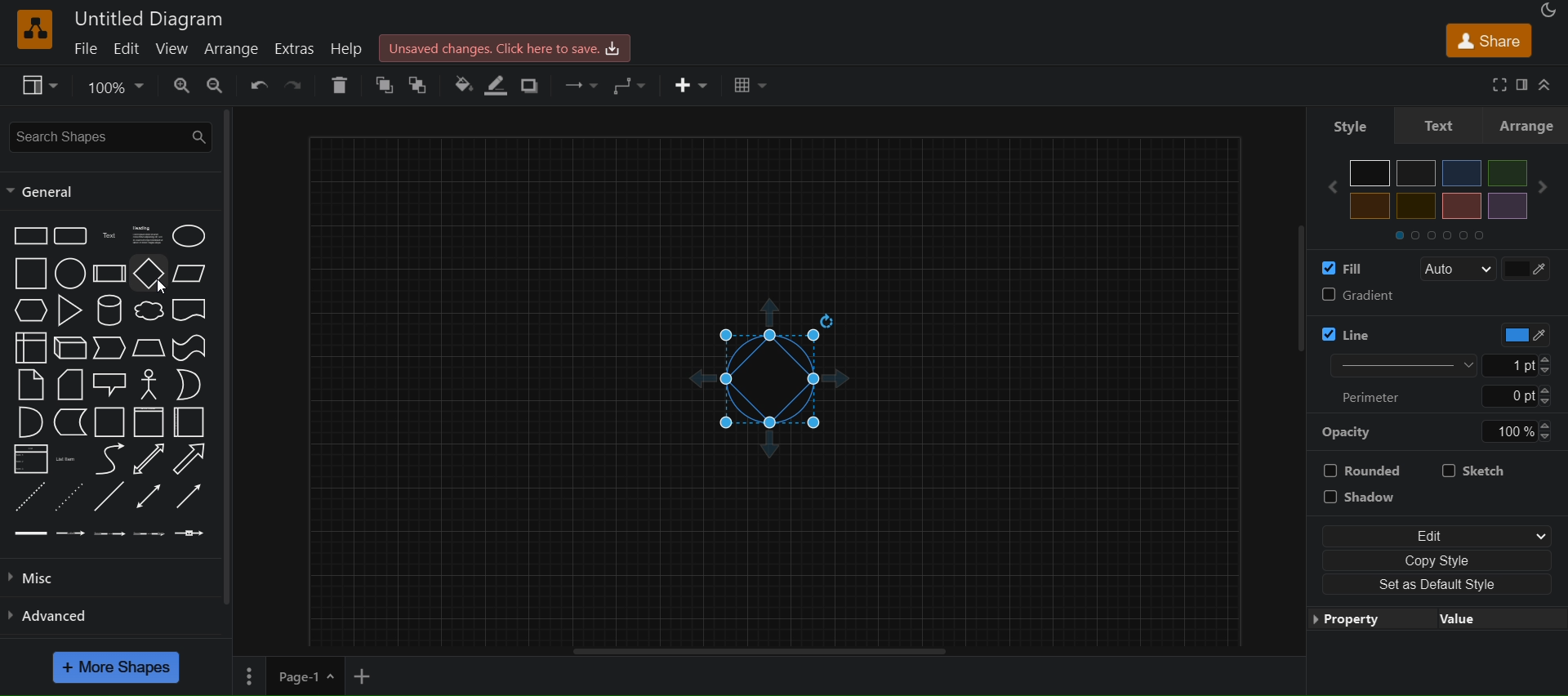 This screenshot has width=1568, height=696. What do you see at coordinates (70, 349) in the screenshot?
I see `cube` at bounding box center [70, 349].